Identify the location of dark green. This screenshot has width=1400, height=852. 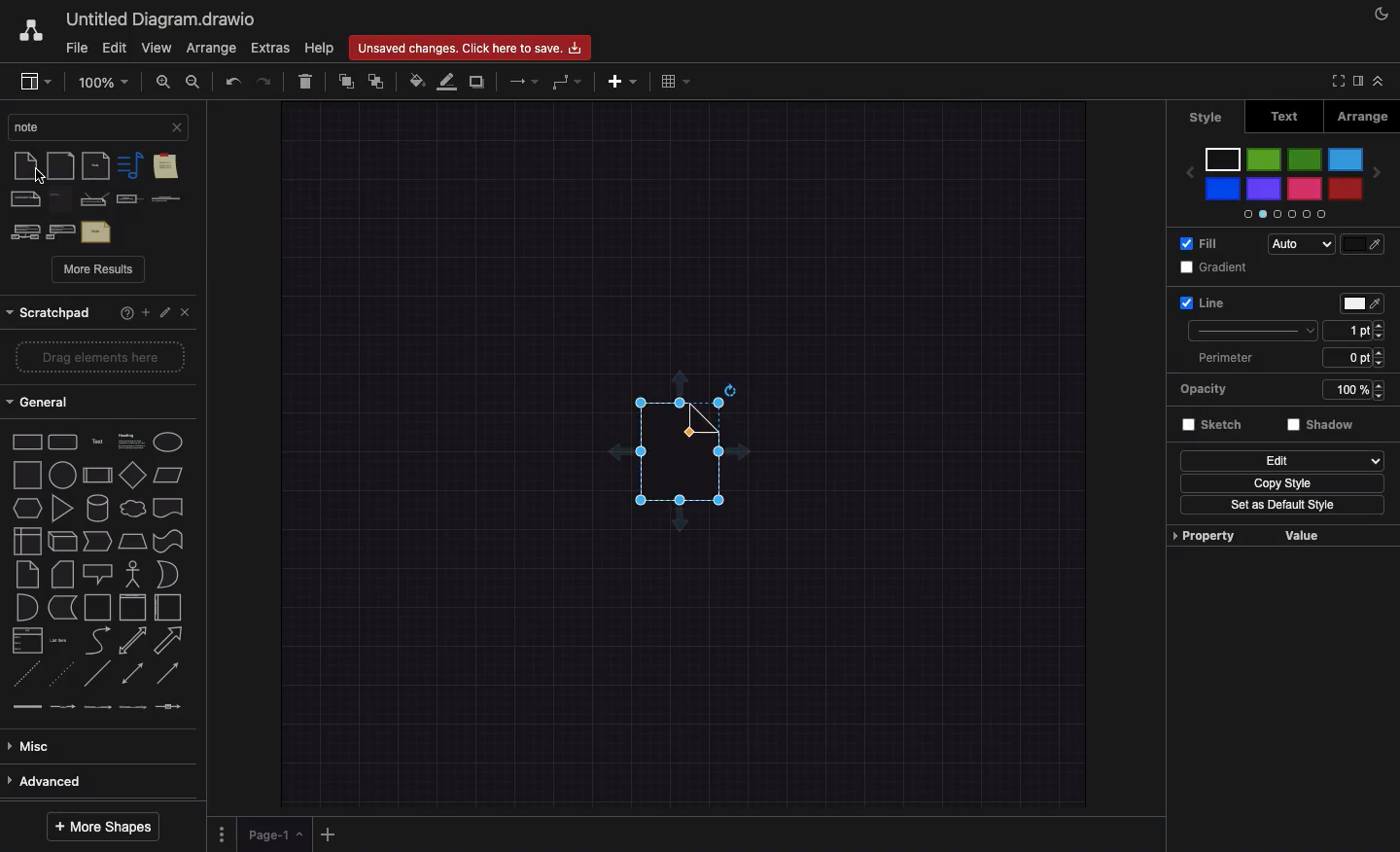
(1305, 160).